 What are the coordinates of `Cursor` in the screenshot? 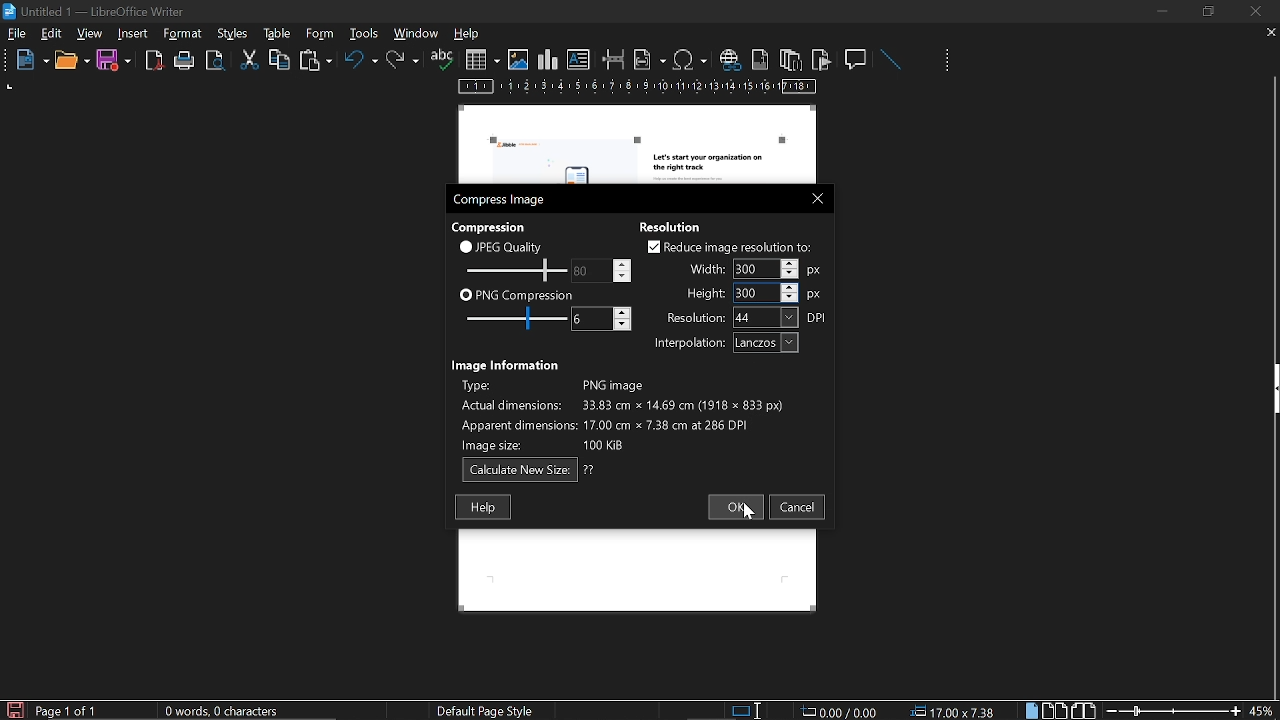 It's located at (750, 513).